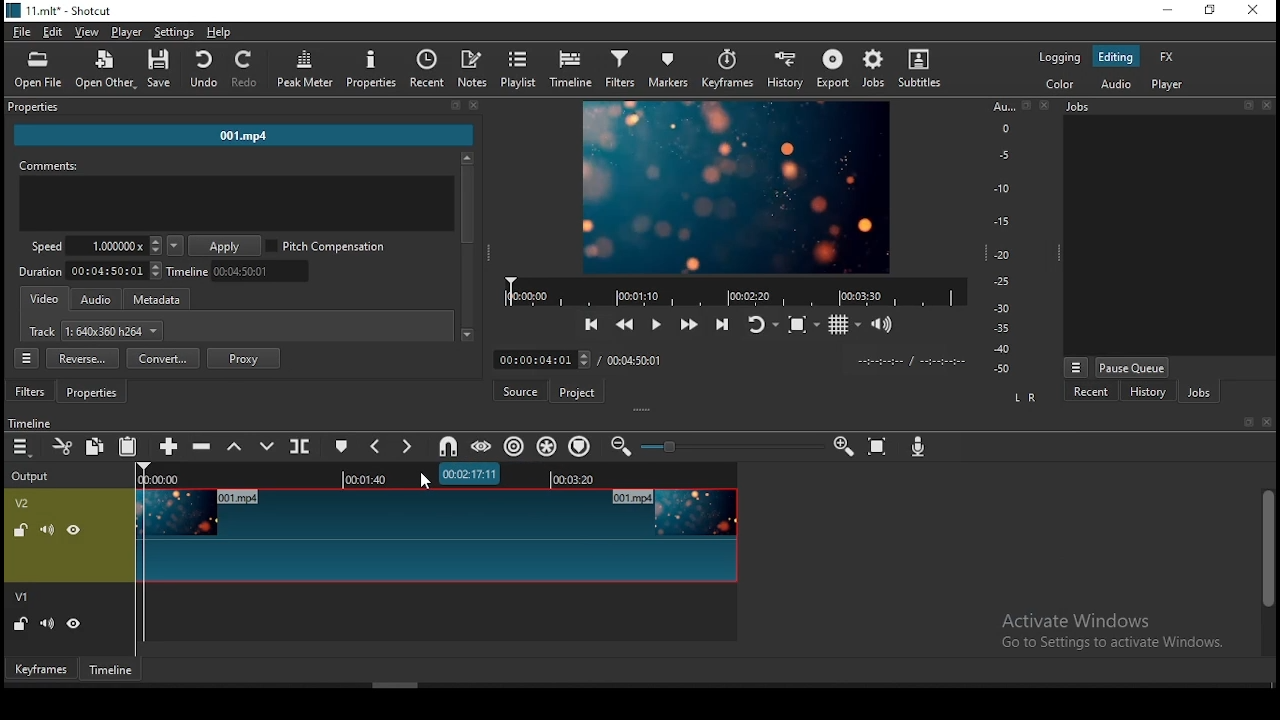  I want to click on minimize, so click(1166, 11).